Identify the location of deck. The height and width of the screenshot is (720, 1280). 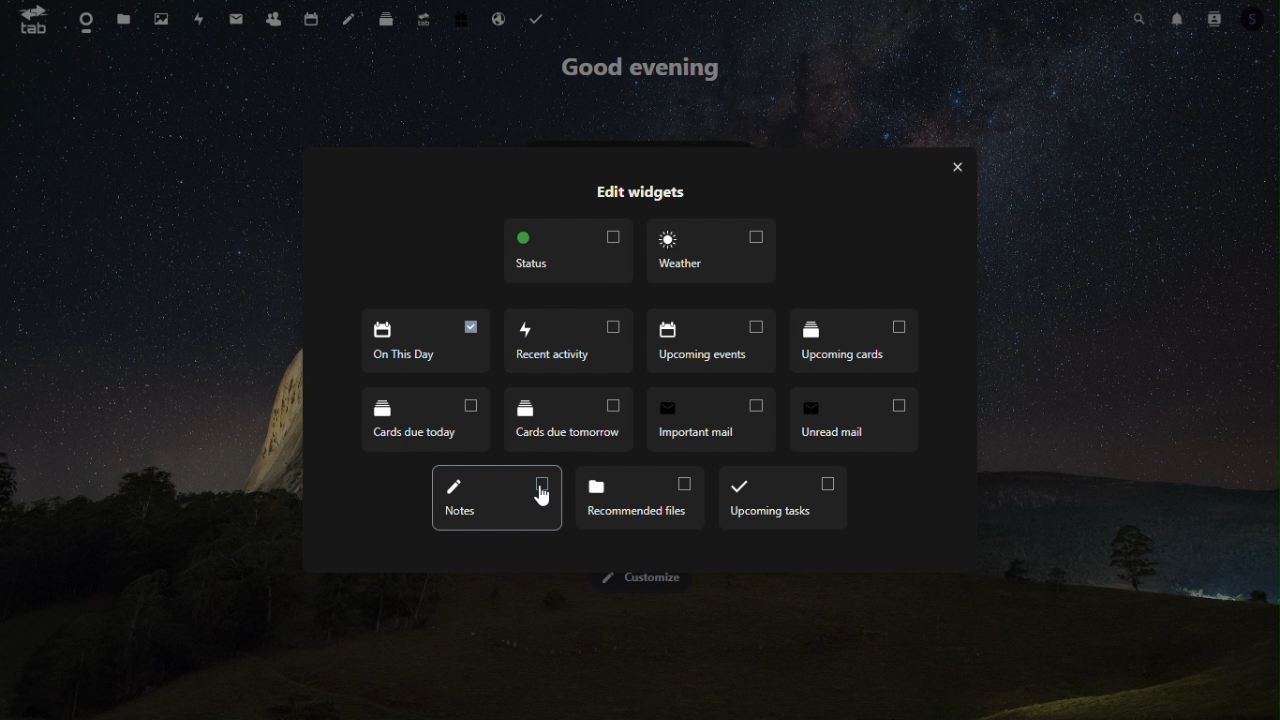
(390, 19).